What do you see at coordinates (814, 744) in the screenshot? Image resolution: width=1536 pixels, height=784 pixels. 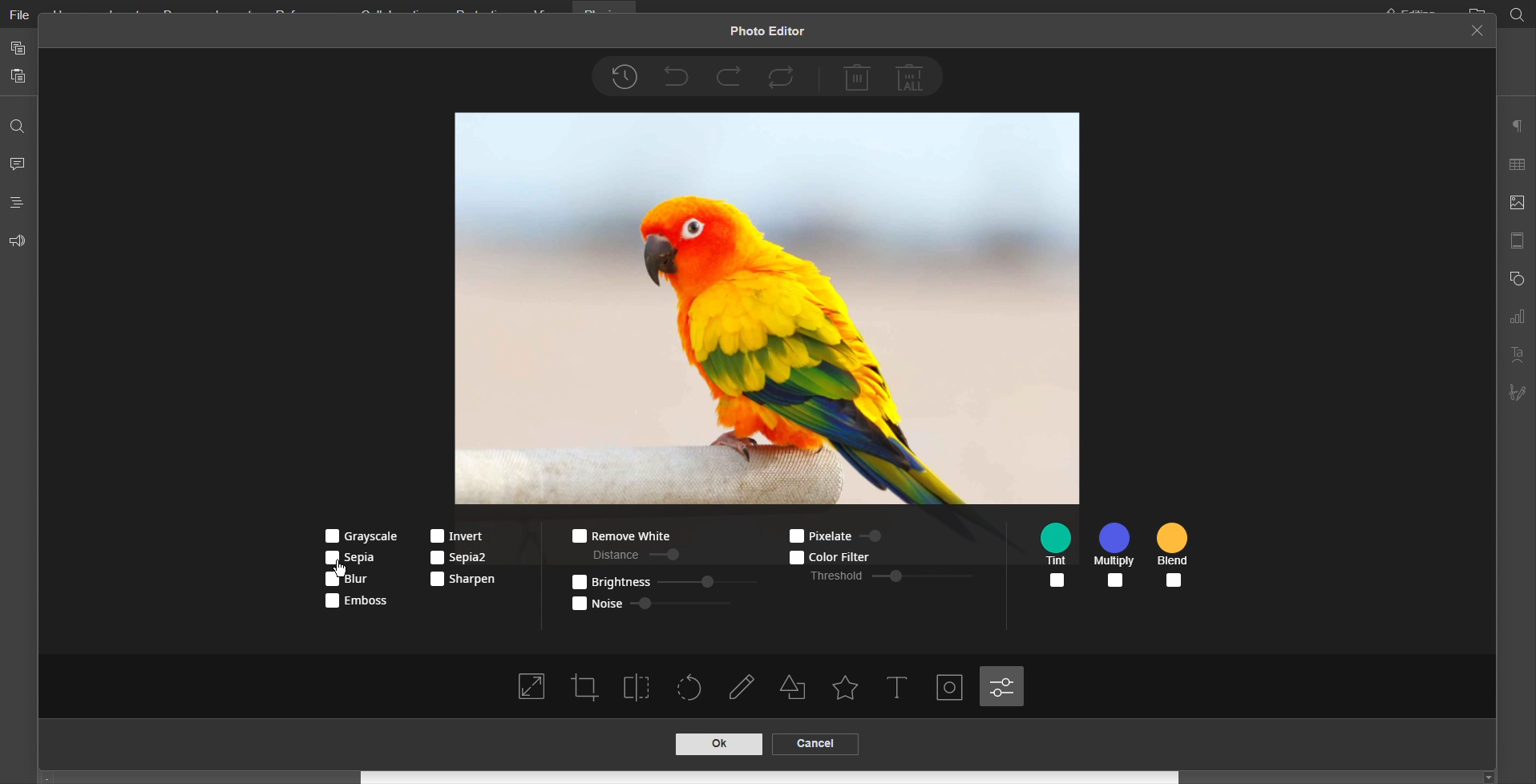 I see `Cancel` at bounding box center [814, 744].